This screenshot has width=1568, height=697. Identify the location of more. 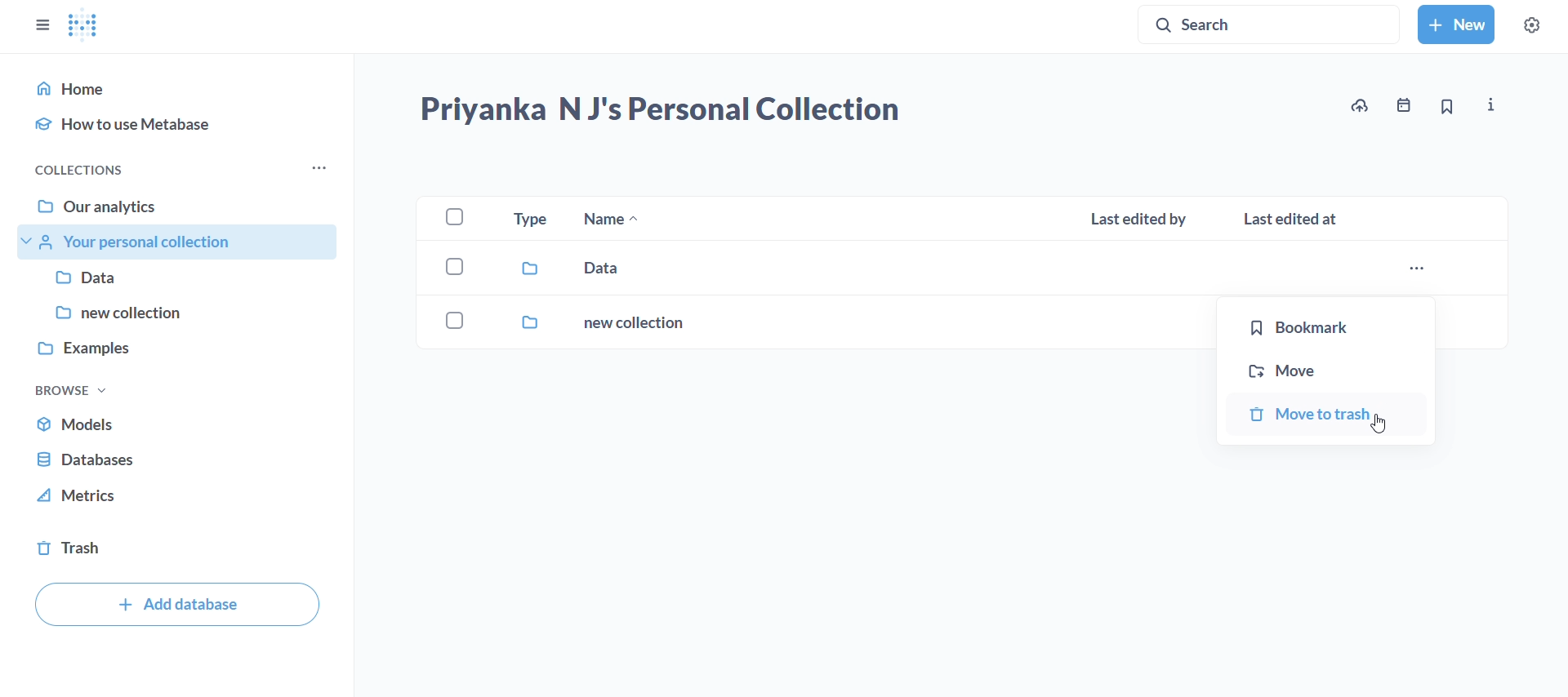
(1418, 273).